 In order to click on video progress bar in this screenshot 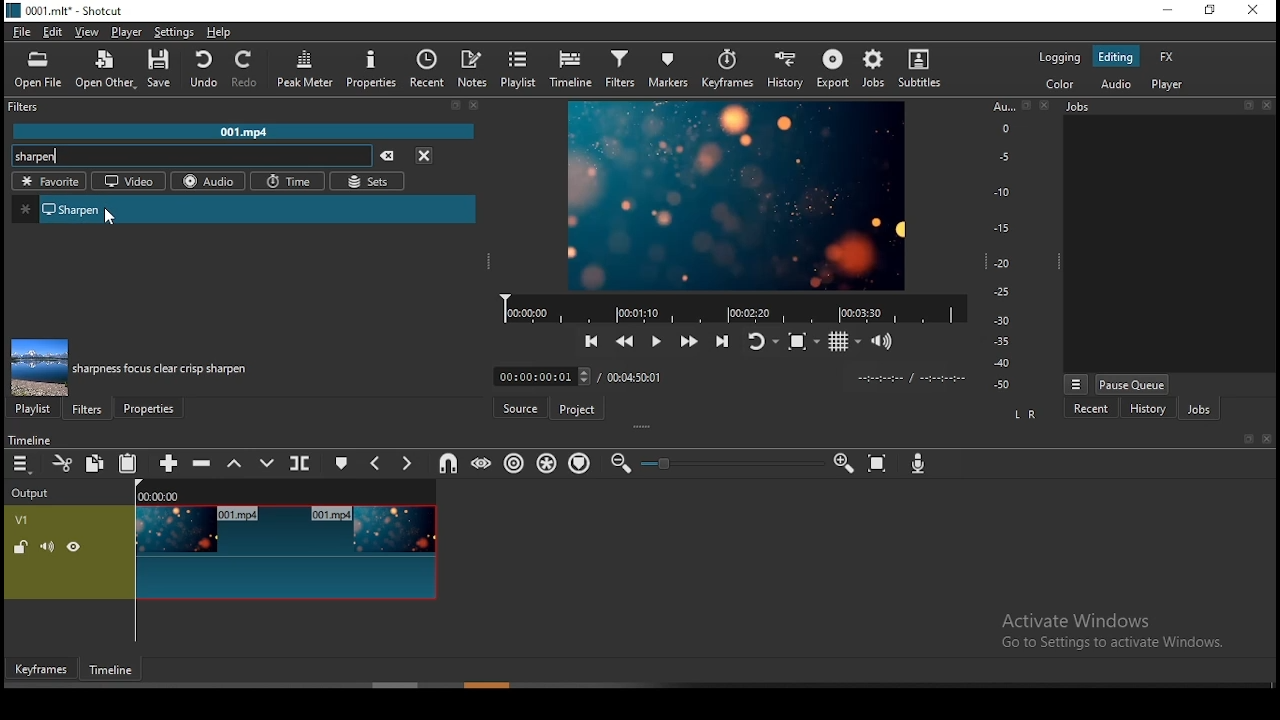, I will do `click(728, 305)`.